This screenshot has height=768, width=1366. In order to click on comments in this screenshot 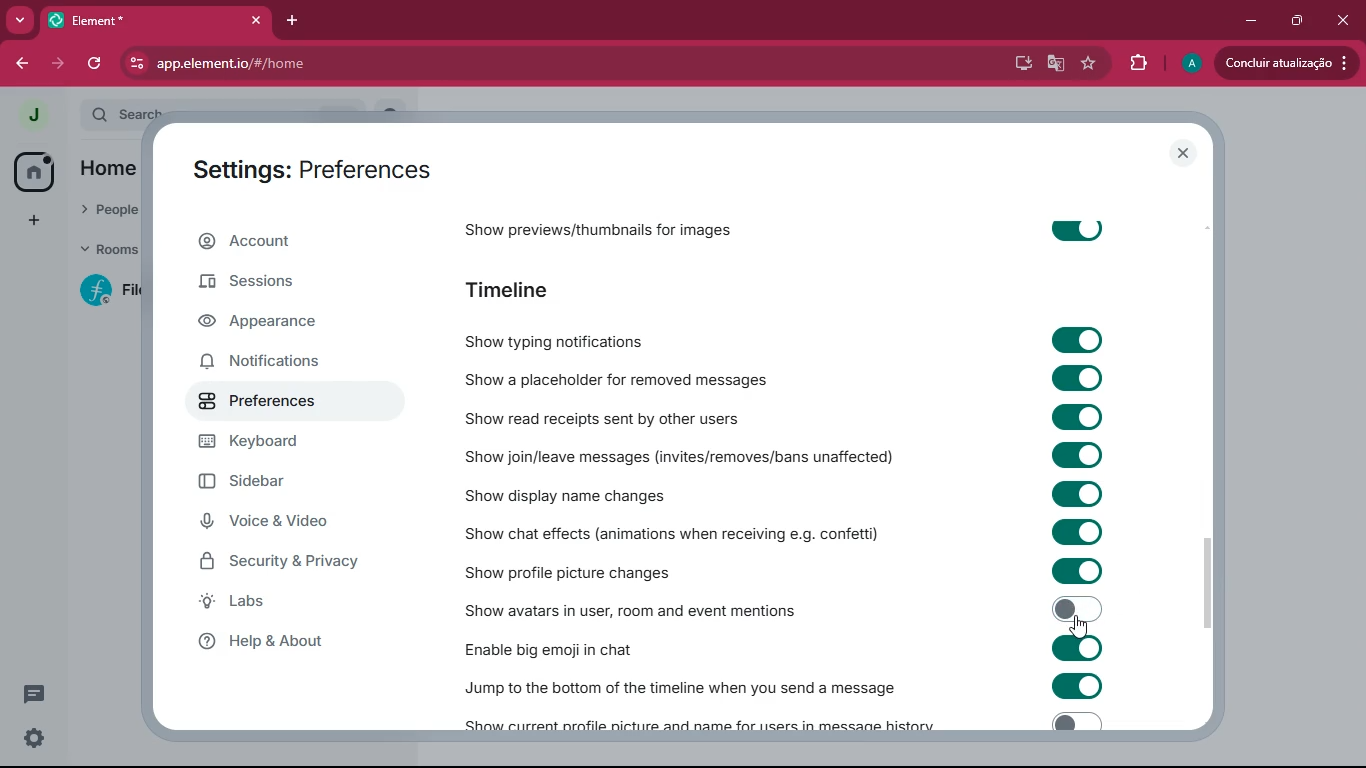, I will do `click(35, 686)`.